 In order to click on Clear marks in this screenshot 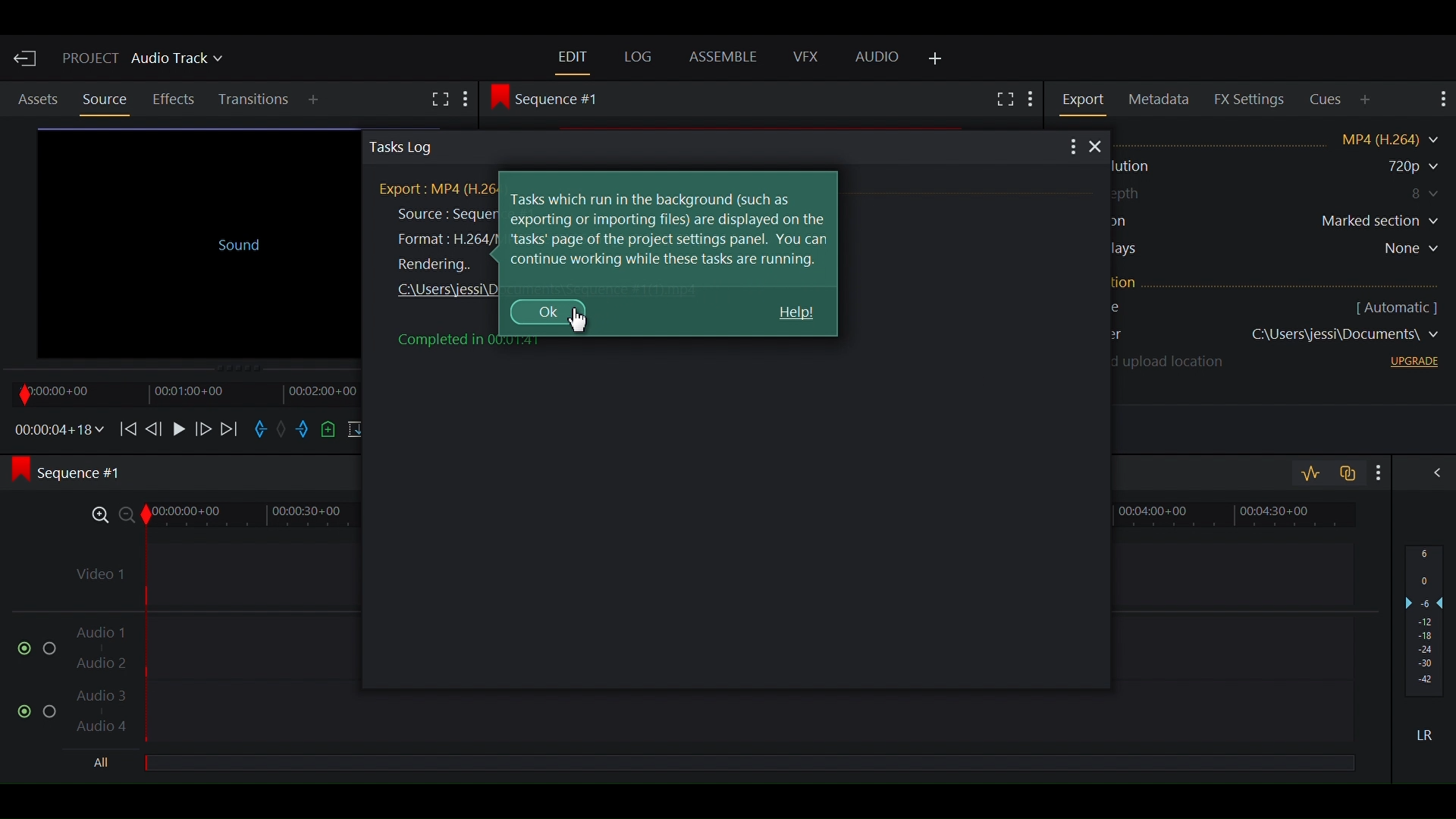, I will do `click(285, 431)`.